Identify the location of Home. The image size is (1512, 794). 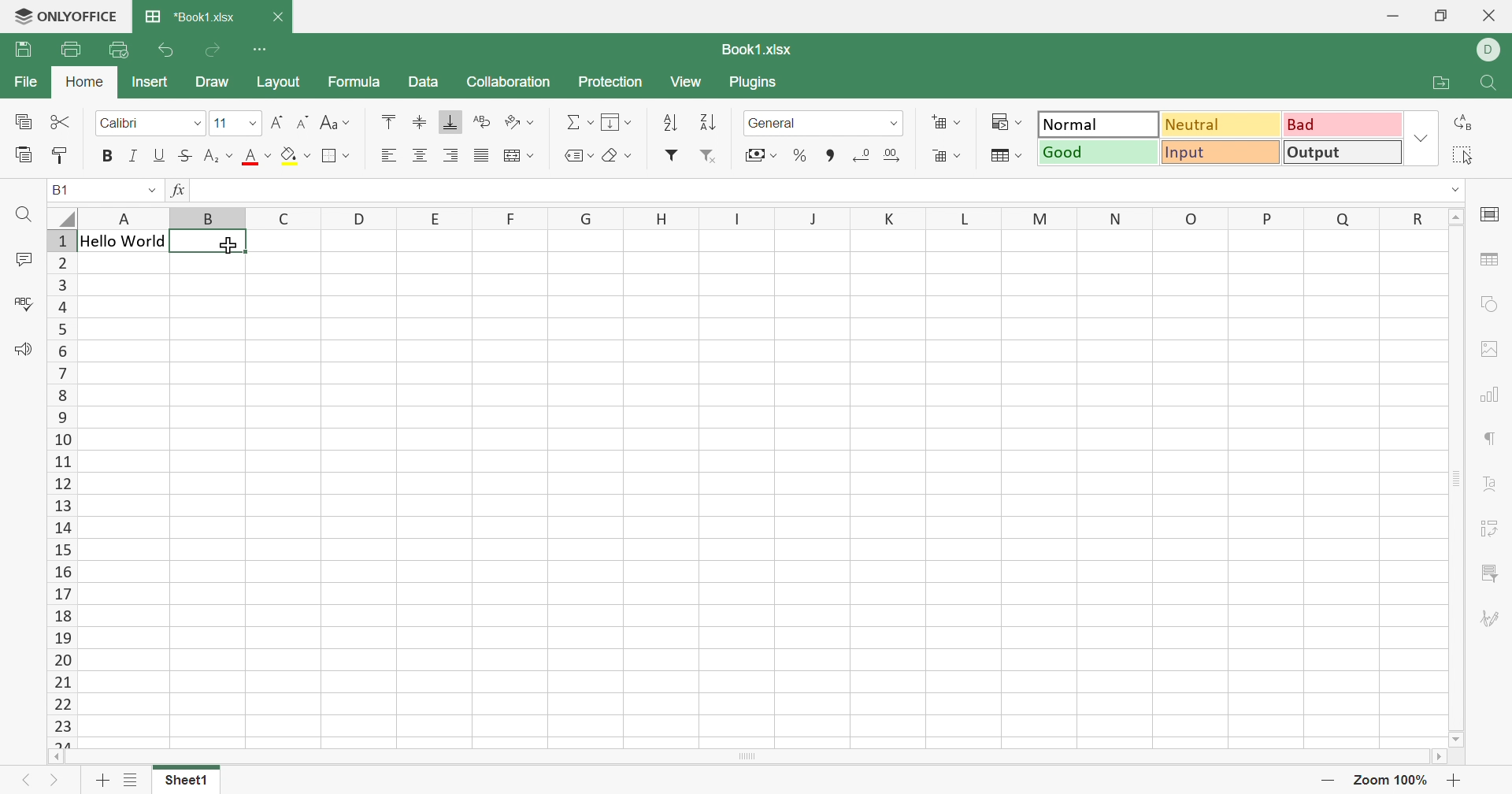
(87, 82).